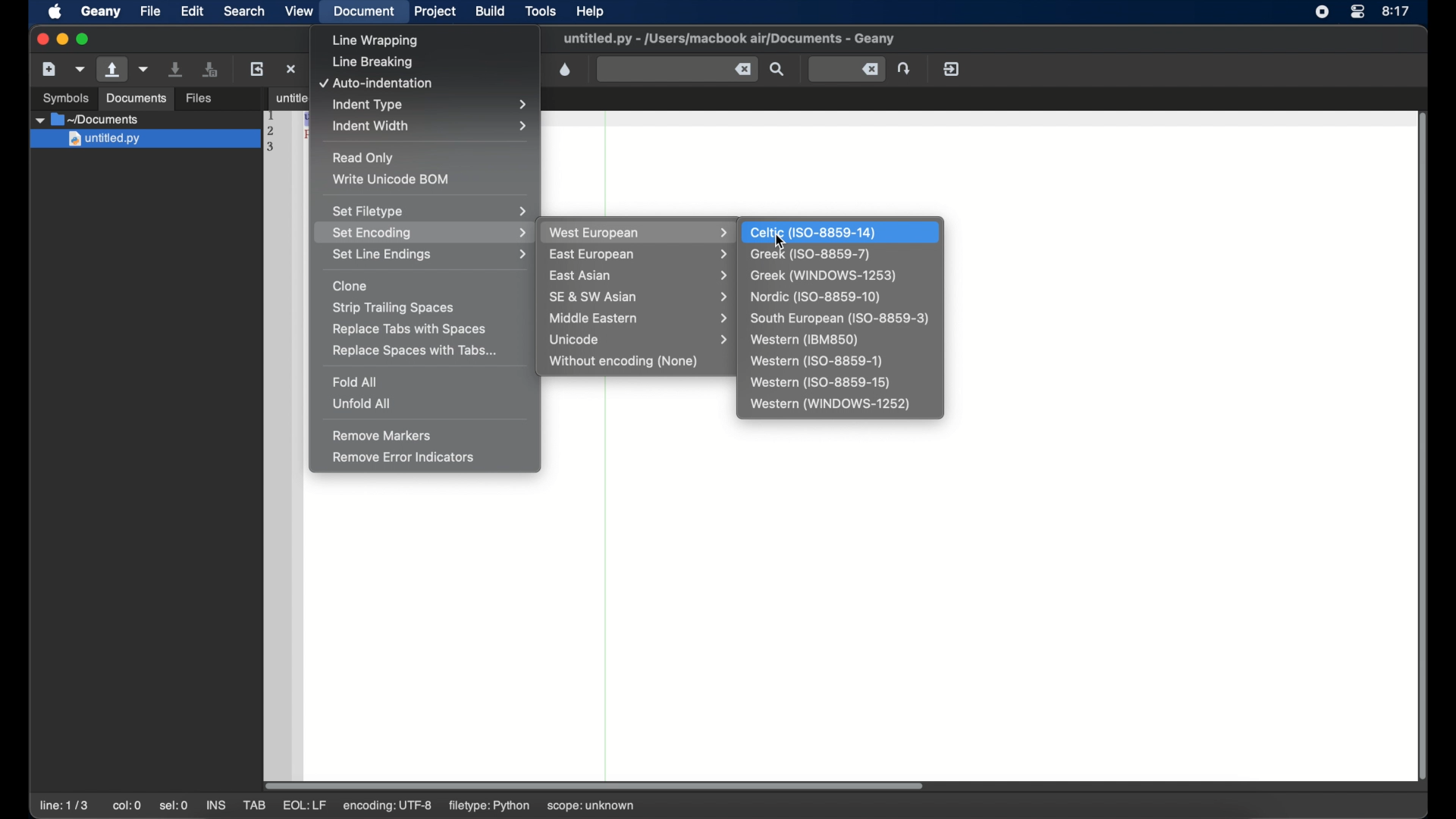 Image resolution: width=1456 pixels, height=819 pixels. I want to click on western, so click(816, 361).